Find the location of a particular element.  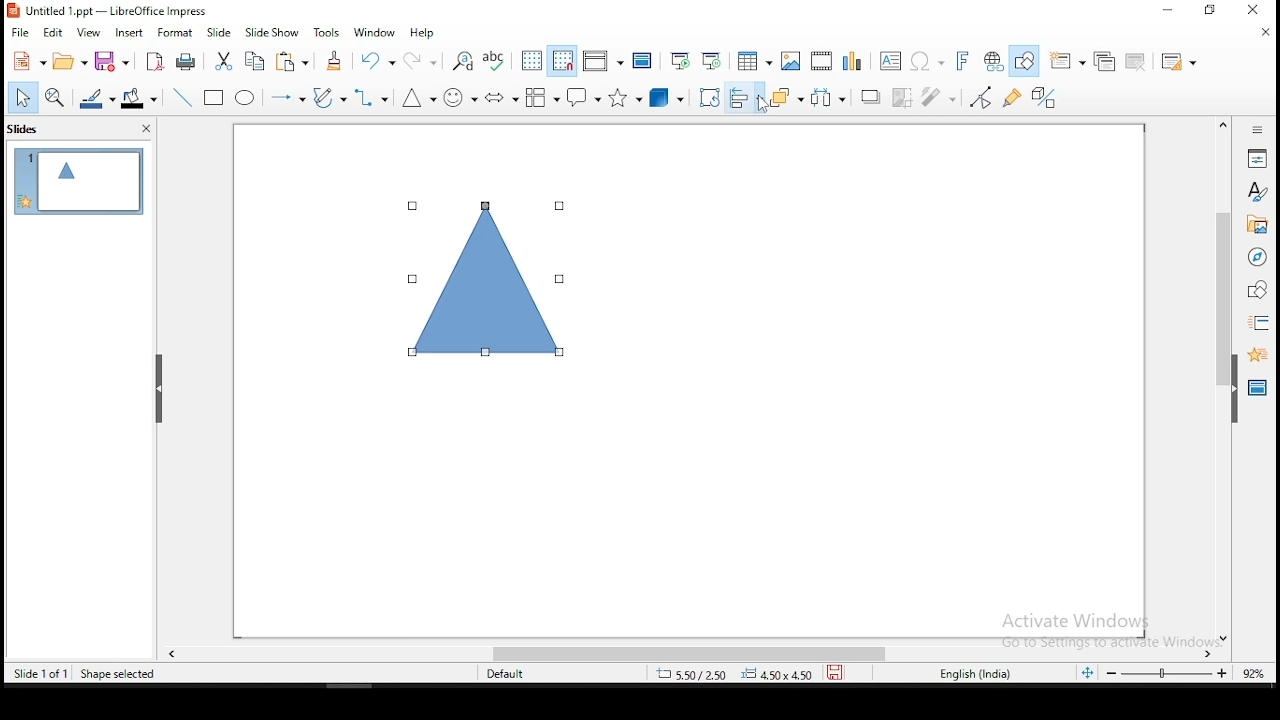

rectangle is located at coordinates (215, 99).